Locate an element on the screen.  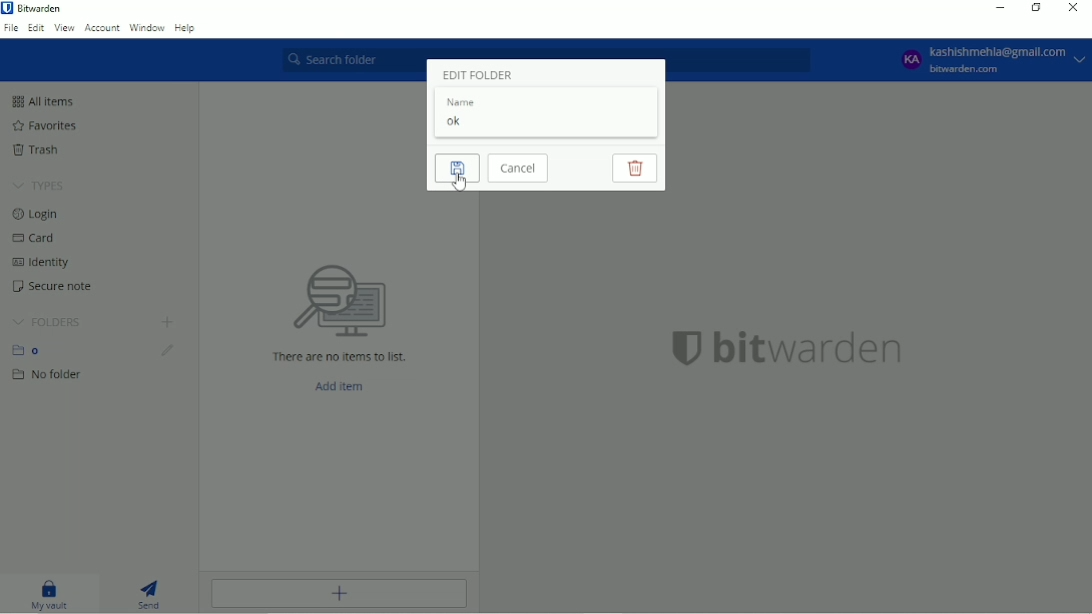
Restore down is located at coordinates (1035, 9).